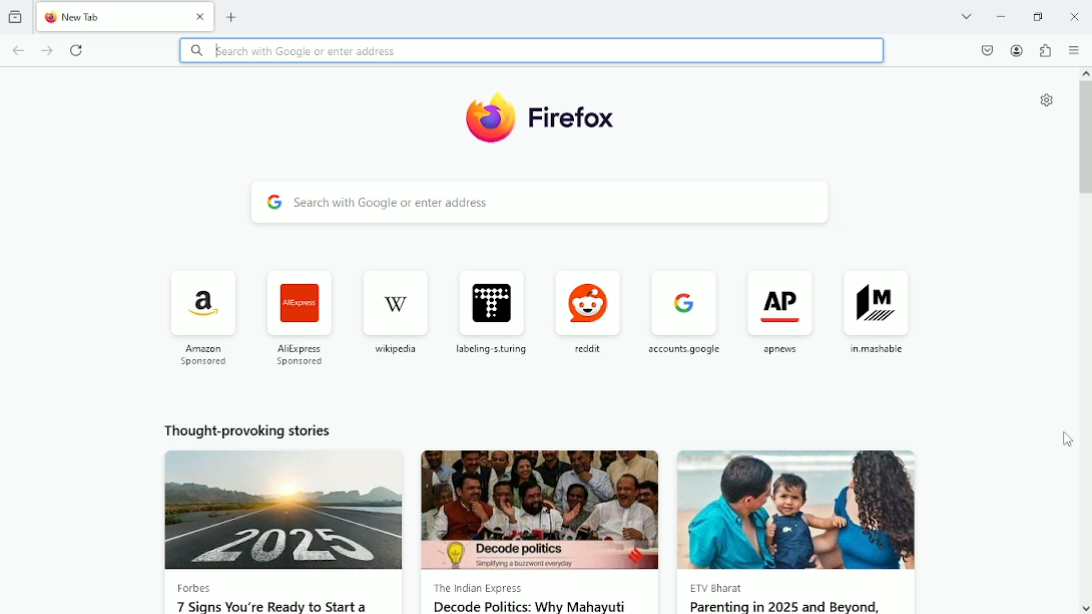 This screenshot has width=1092, height=614. What do you see at coordinates (573, 117) in the screenshot?
I see `firefox ` at bounding box center [573, 117].